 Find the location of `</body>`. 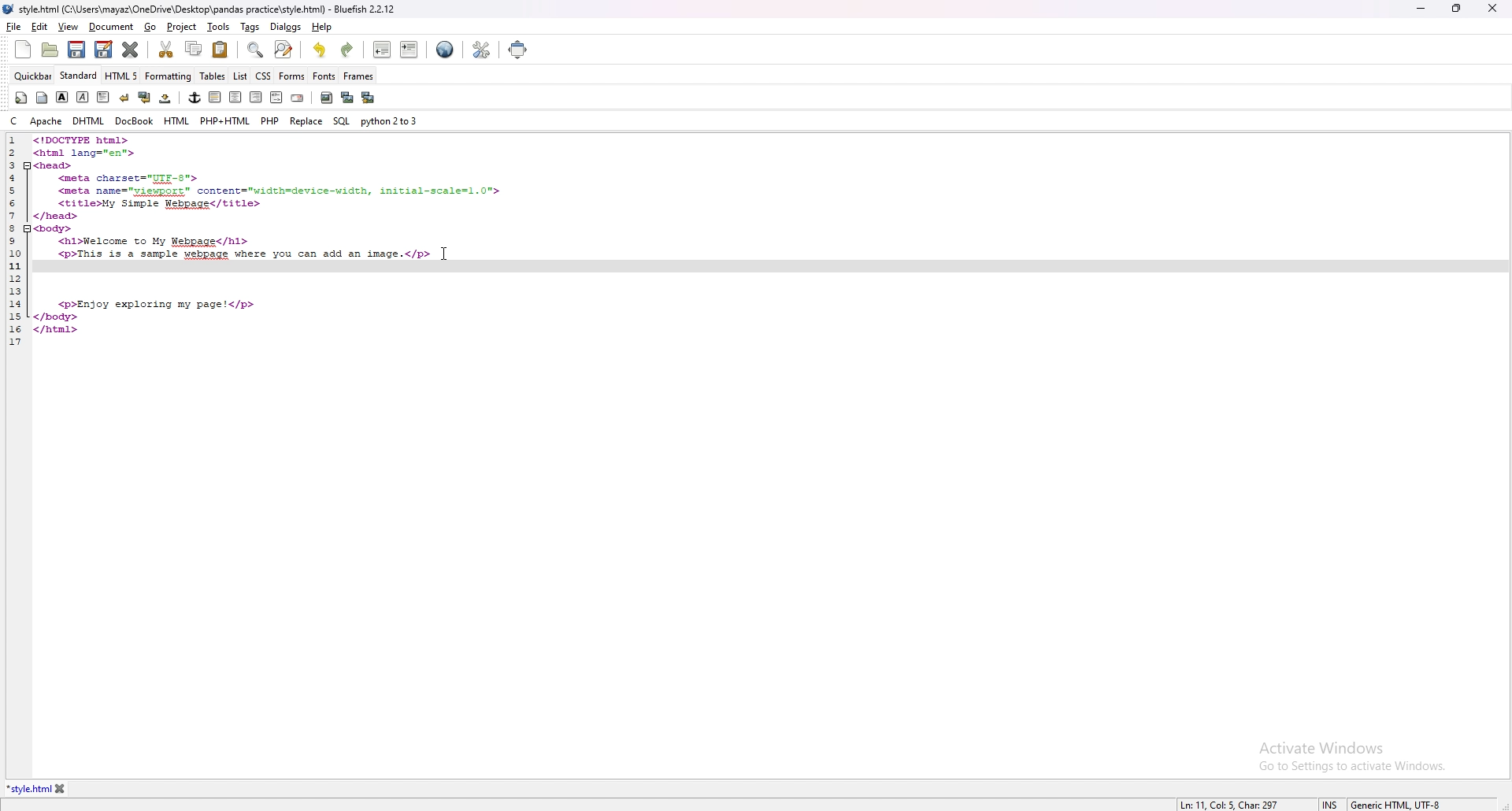

</body> is located at coordinates (56, 317).